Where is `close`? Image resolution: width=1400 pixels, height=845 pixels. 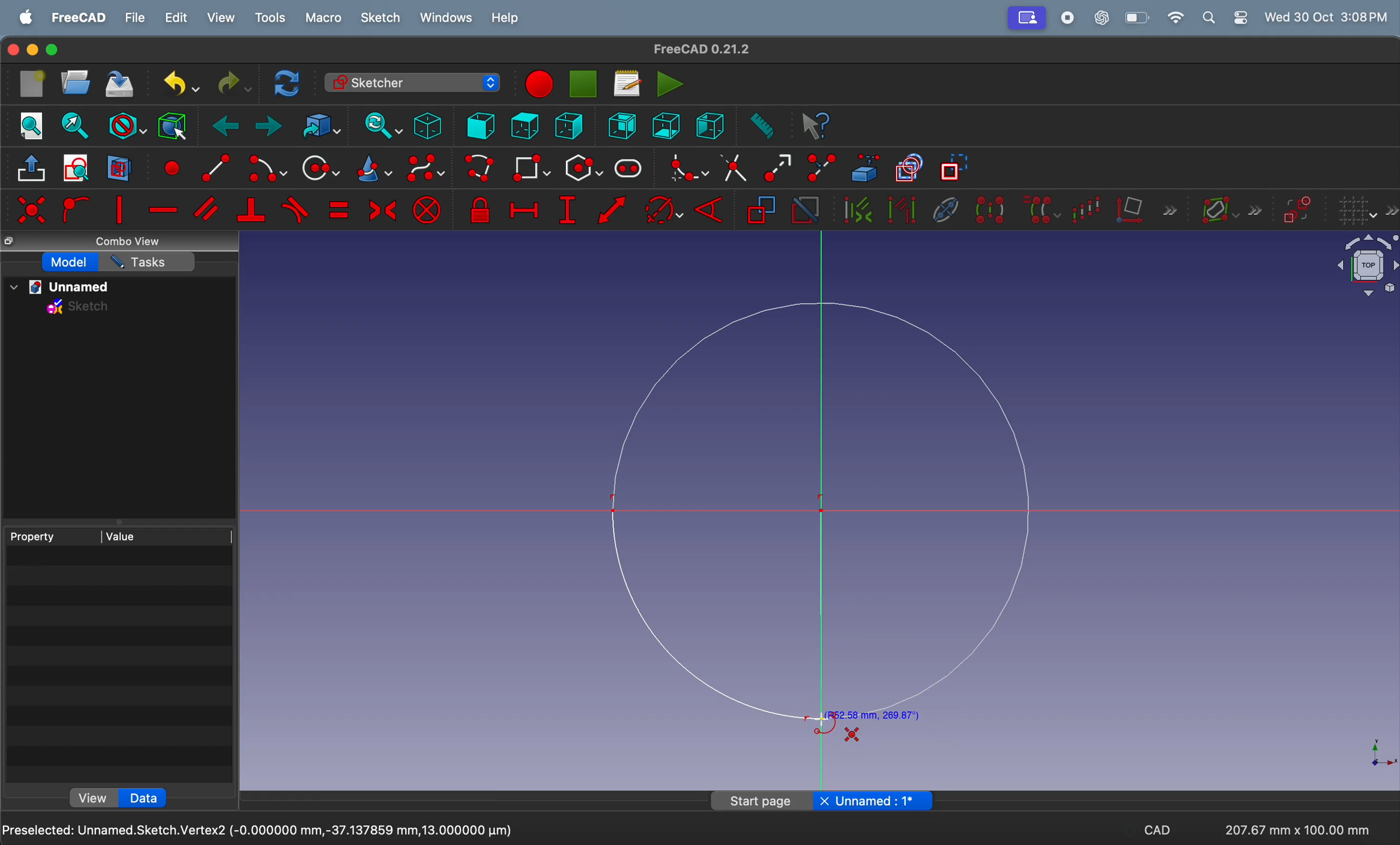 close is located at coordinates (824, 801).